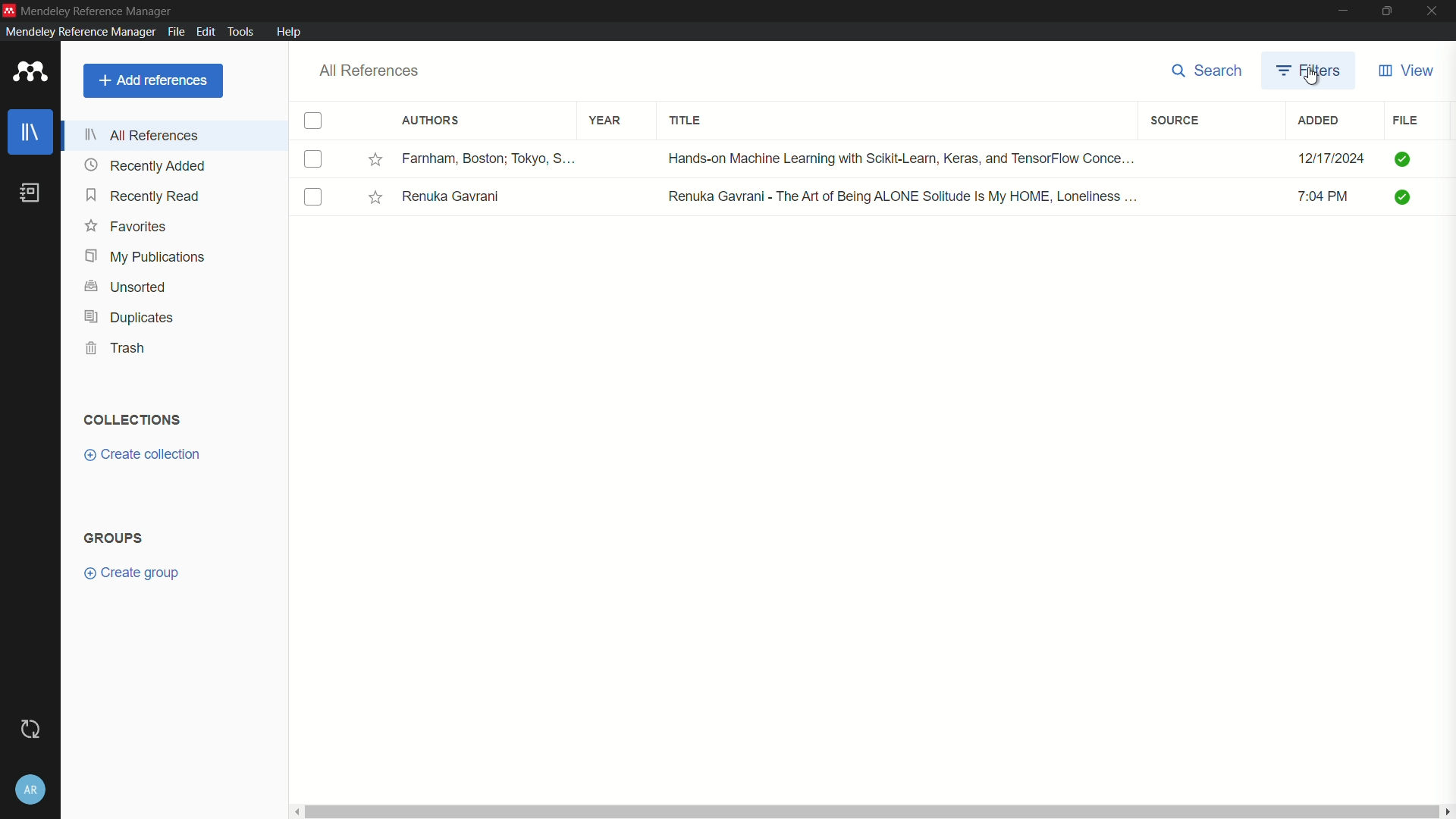 The width and height of the screenshot is (1456, 819). Describe the element at coordinates (1311, 73) in the screenshot. I see `filters` at that location.